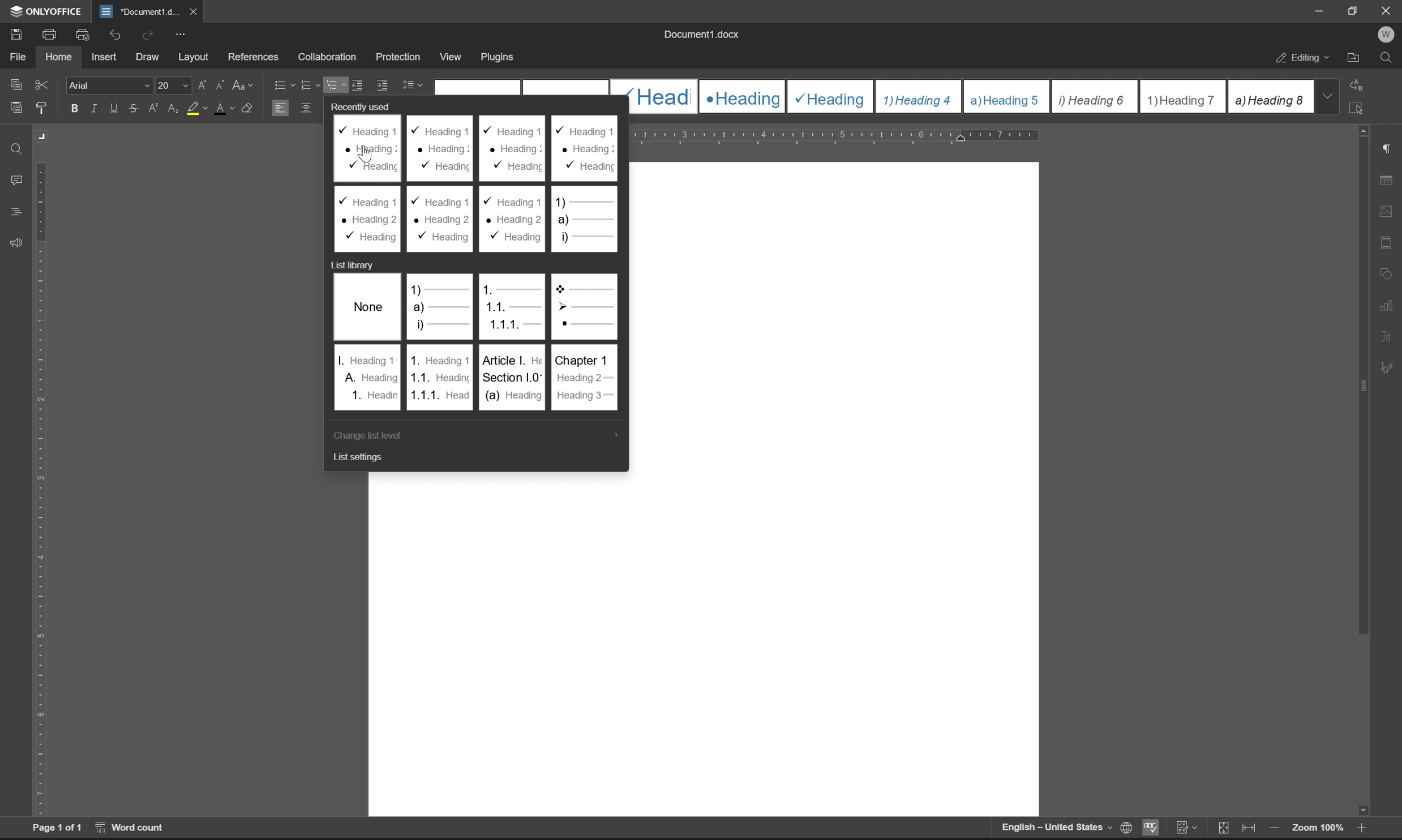 The width and height of the screenshot is (1402, 840). Describe the element at coordinates (18, 150) in the screenshot. I see `find` at that location.